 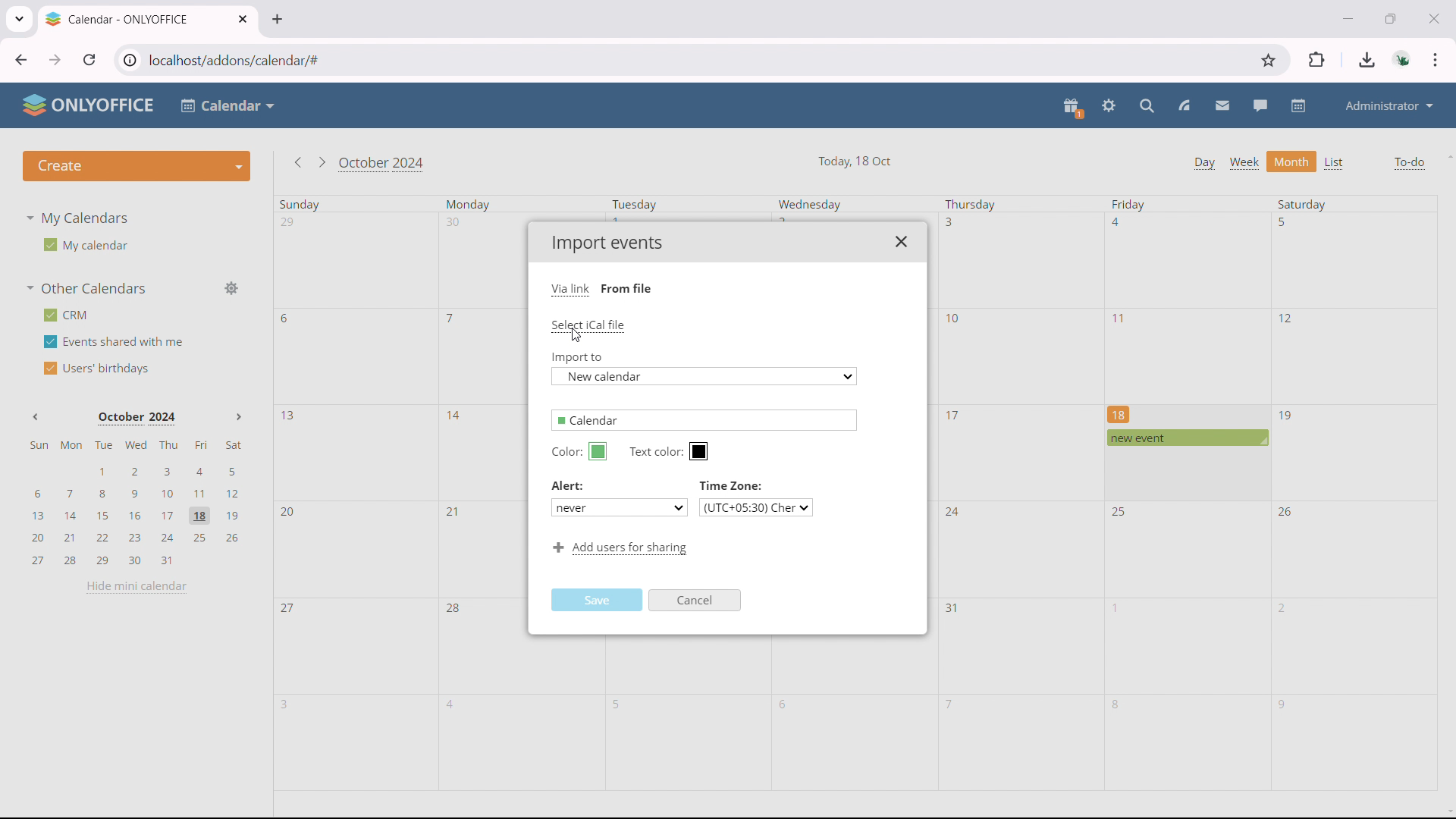 What do you see at coordinates (578, 337) in the screenshot?
I see `cursor` at bounding box center [578, 337].